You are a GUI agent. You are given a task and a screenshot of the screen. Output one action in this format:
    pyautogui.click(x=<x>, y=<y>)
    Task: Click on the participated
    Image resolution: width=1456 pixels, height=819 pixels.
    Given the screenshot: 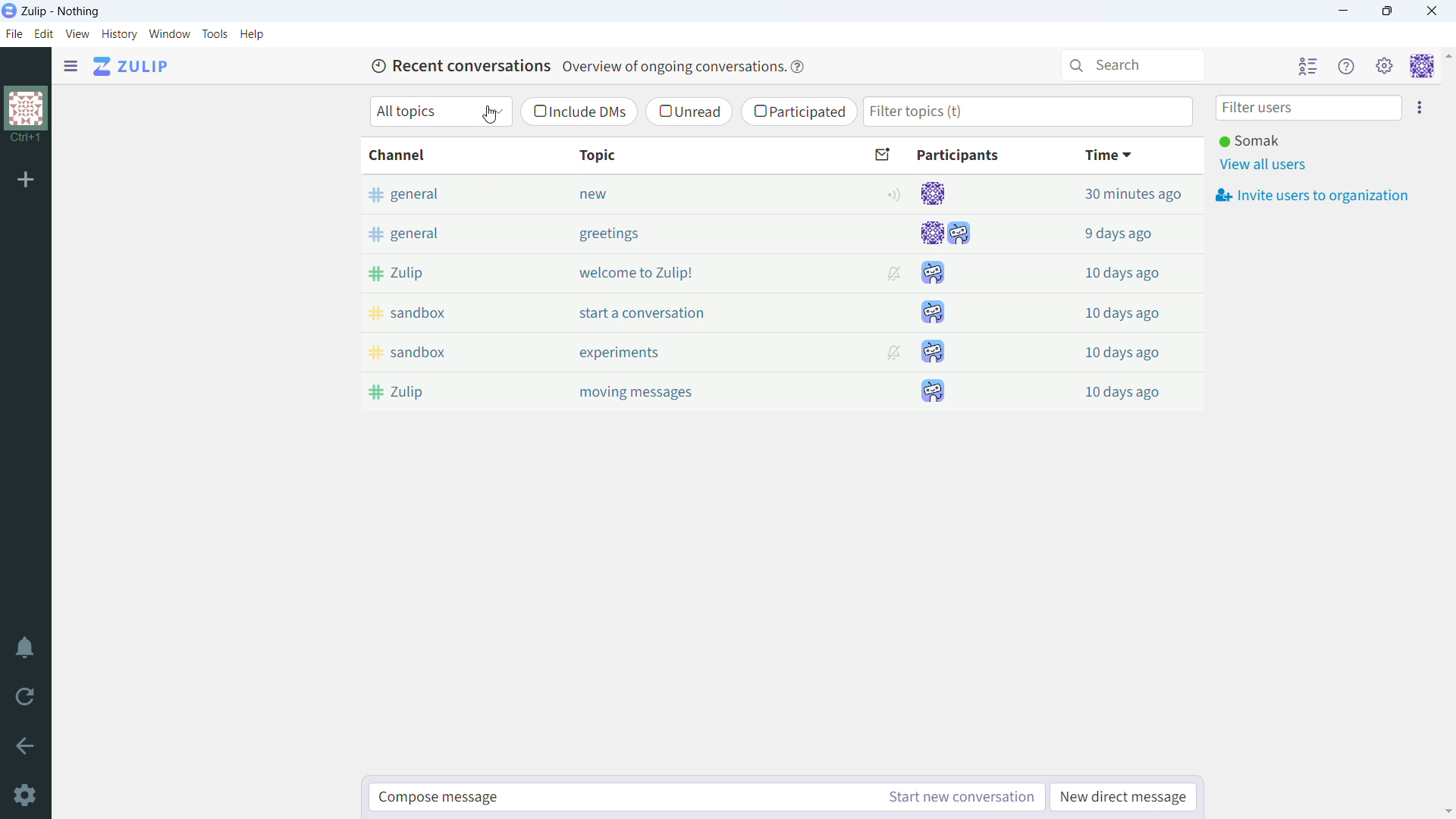 What is the action you would take?
    pyautogui.click(x=799, y=111)
    